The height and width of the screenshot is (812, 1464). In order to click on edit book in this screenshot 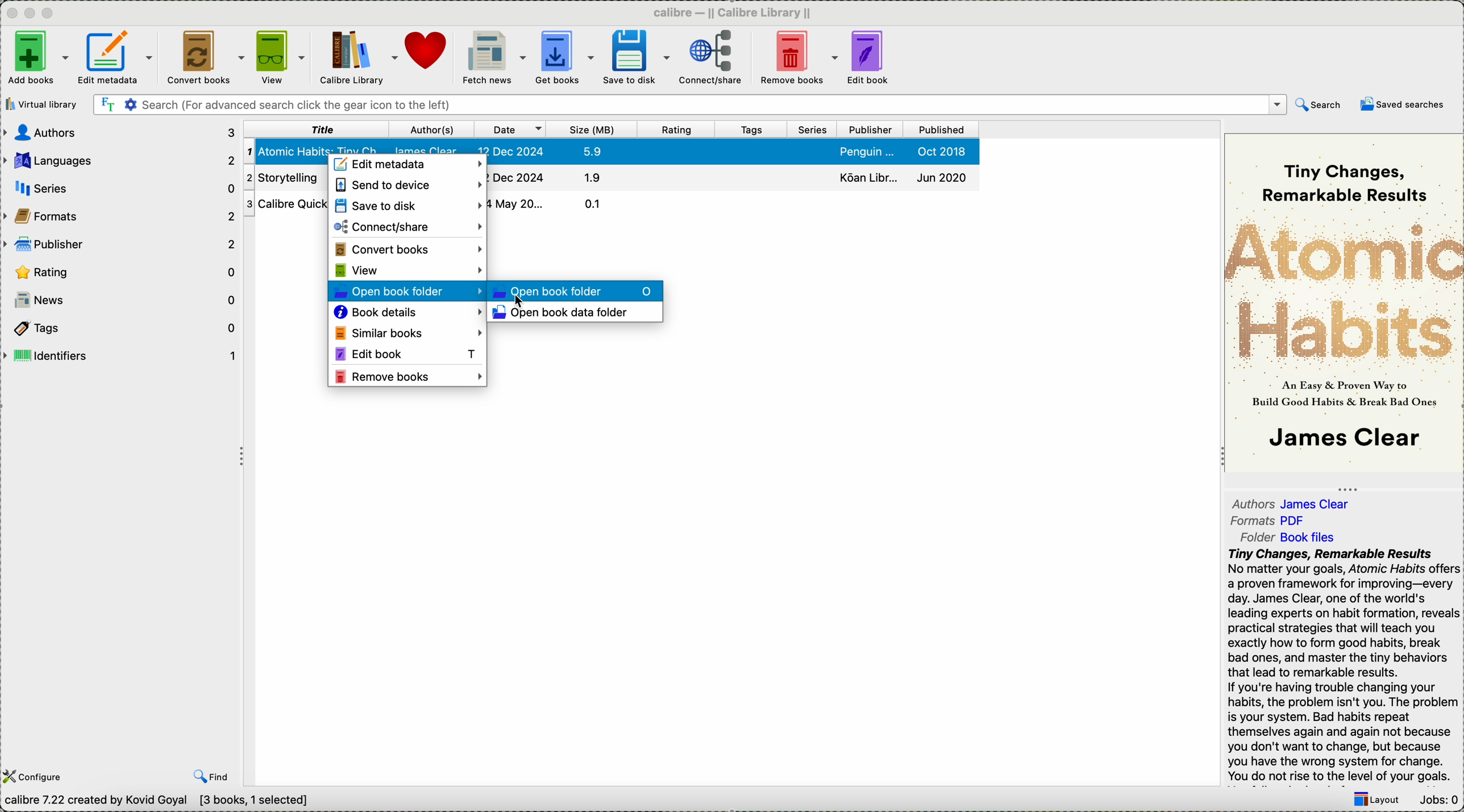, I will do `click(870, 59)`.